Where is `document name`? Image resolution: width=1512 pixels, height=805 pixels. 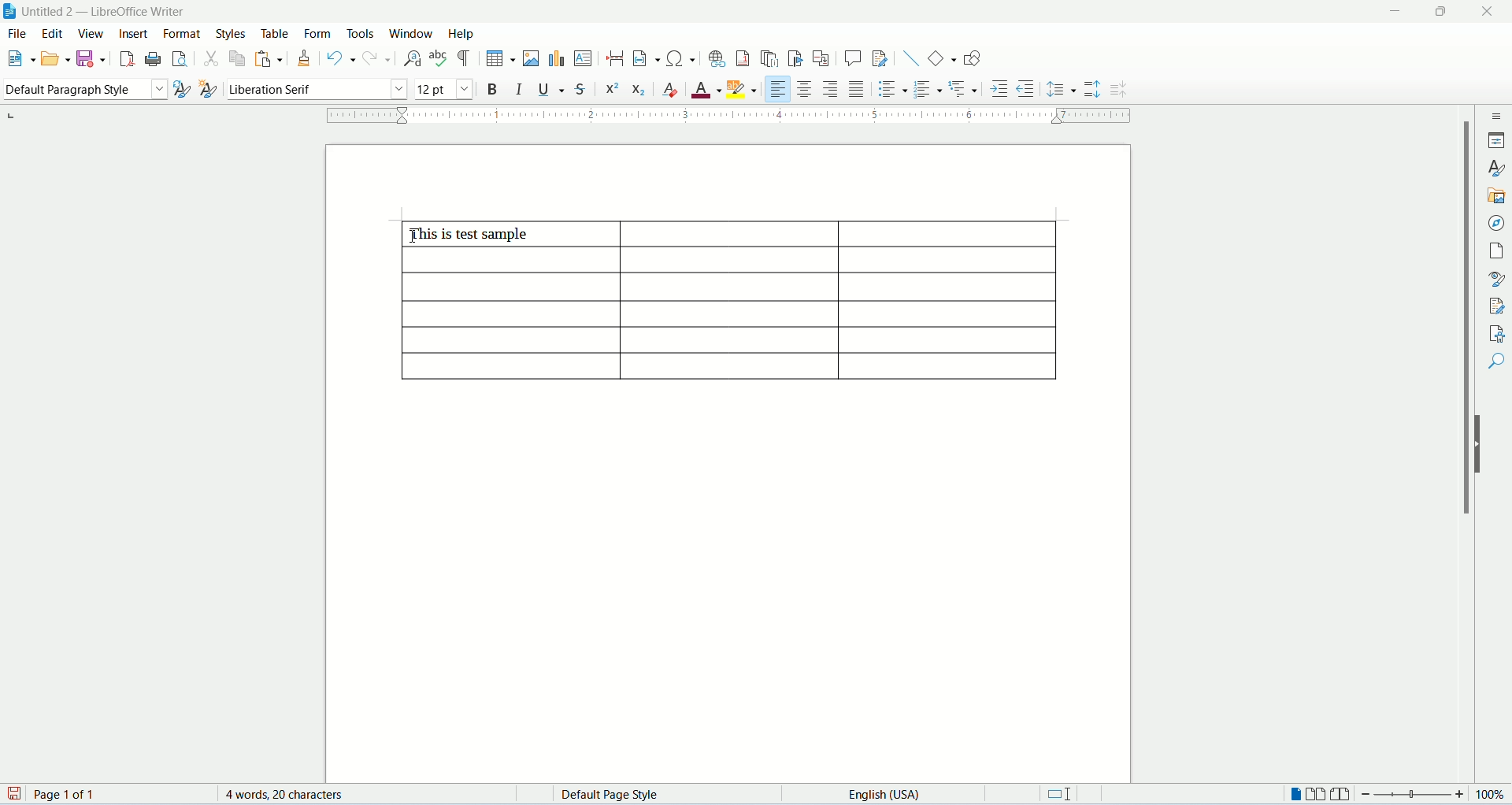
document name is located at coordinates (111, 10).